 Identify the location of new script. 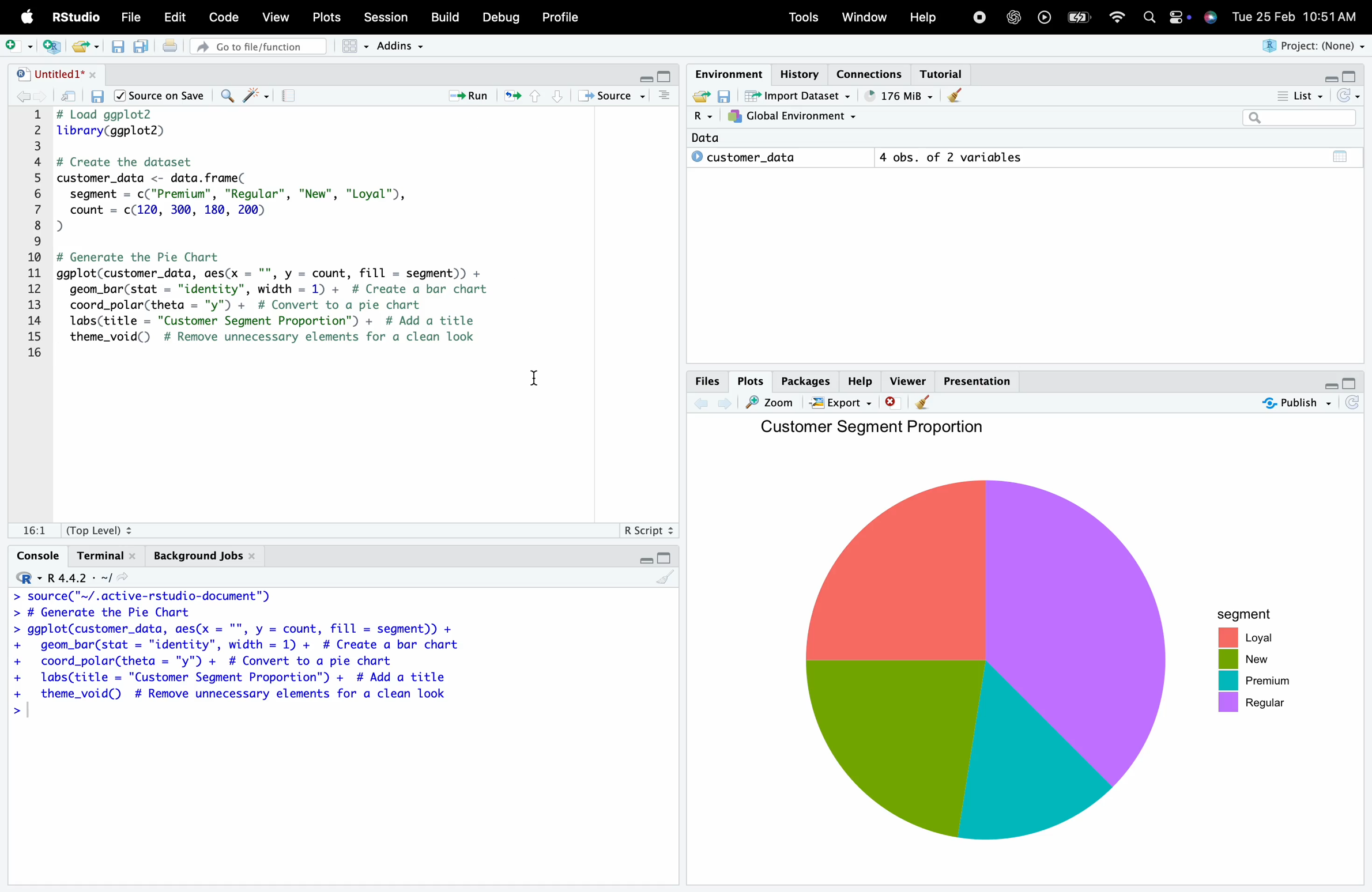
(54, 47).